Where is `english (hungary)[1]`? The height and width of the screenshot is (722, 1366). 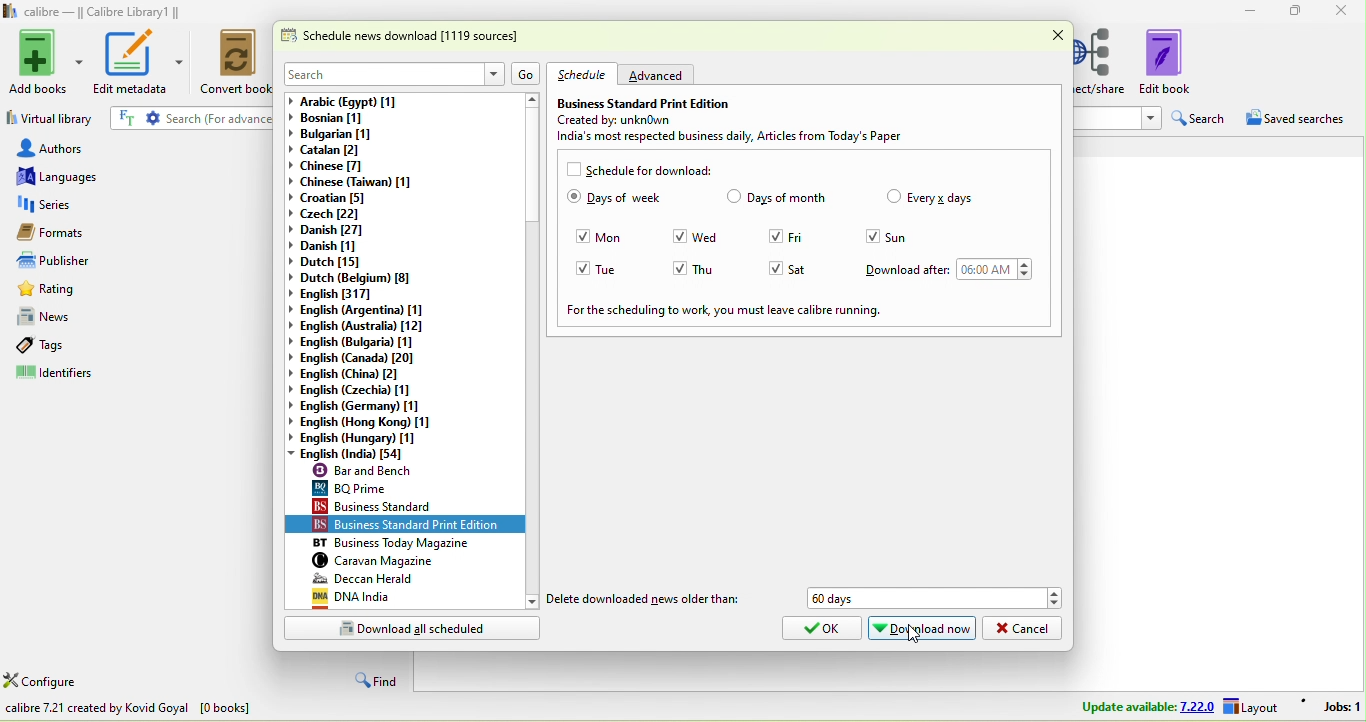
english (hungary)[1] is located at coordinates (369, 439).